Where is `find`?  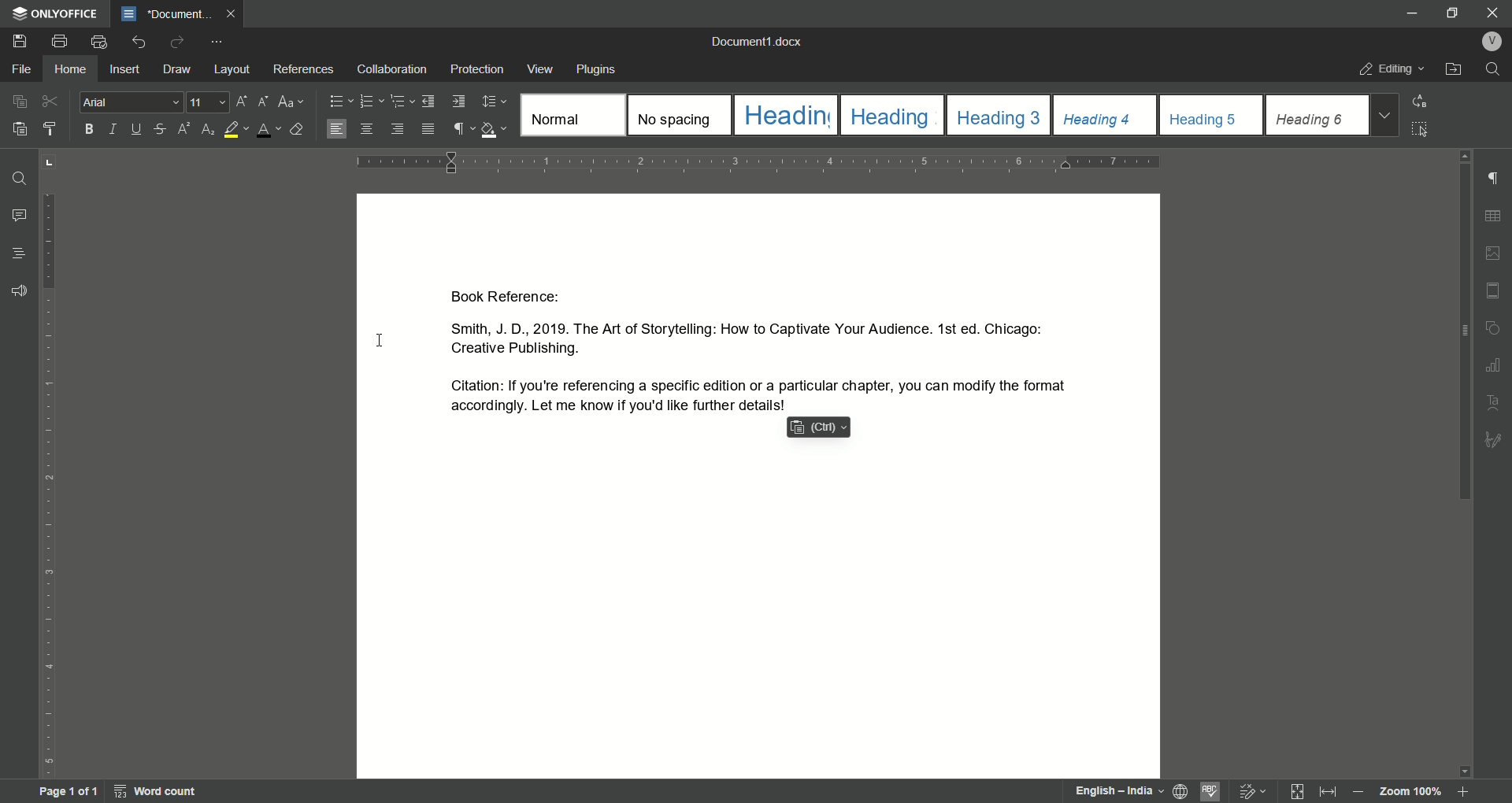 find is located at coordinates (20, 178).